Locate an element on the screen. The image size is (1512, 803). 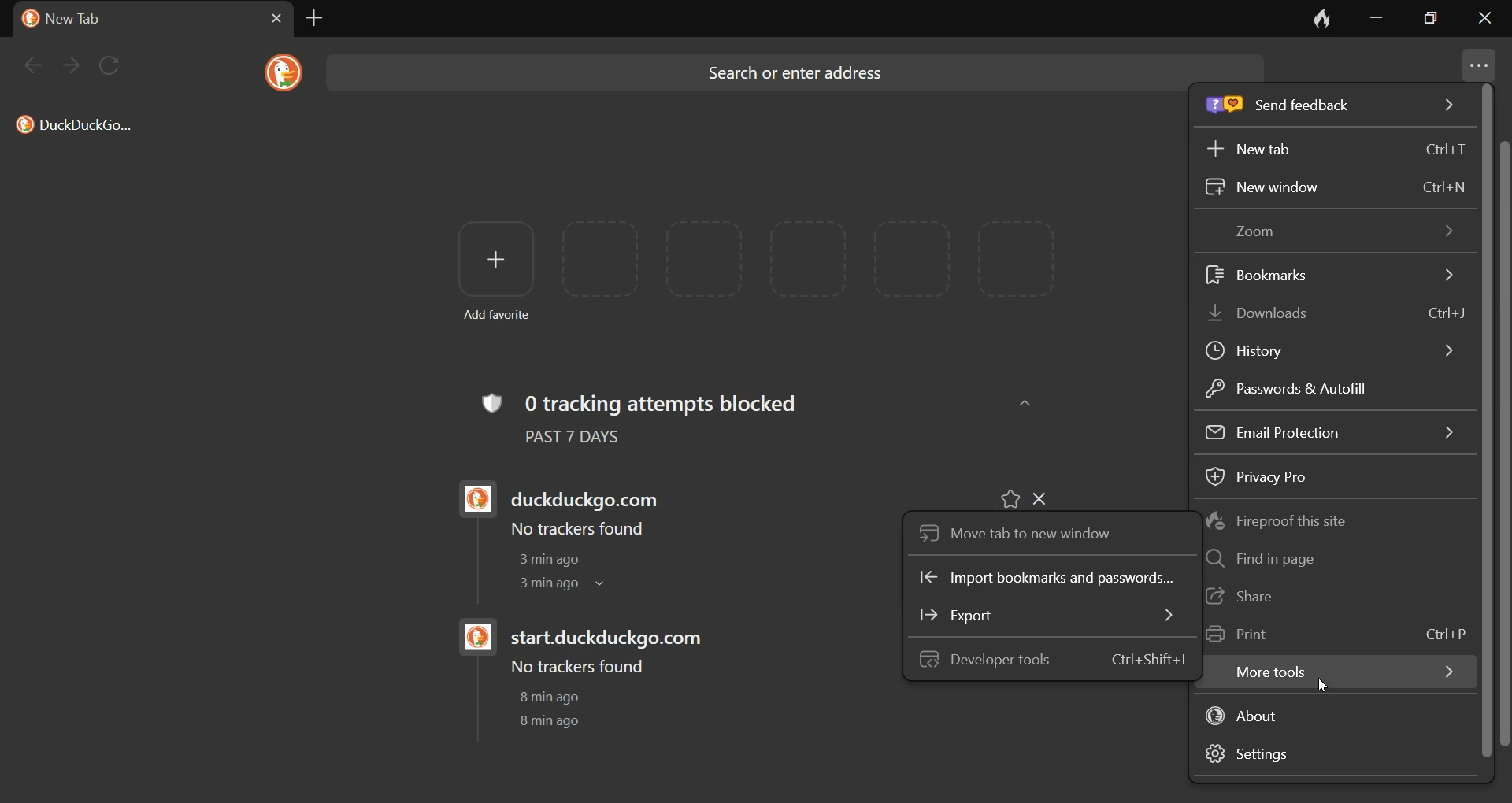
Bookmarks is located at coordinates (1324, 272).